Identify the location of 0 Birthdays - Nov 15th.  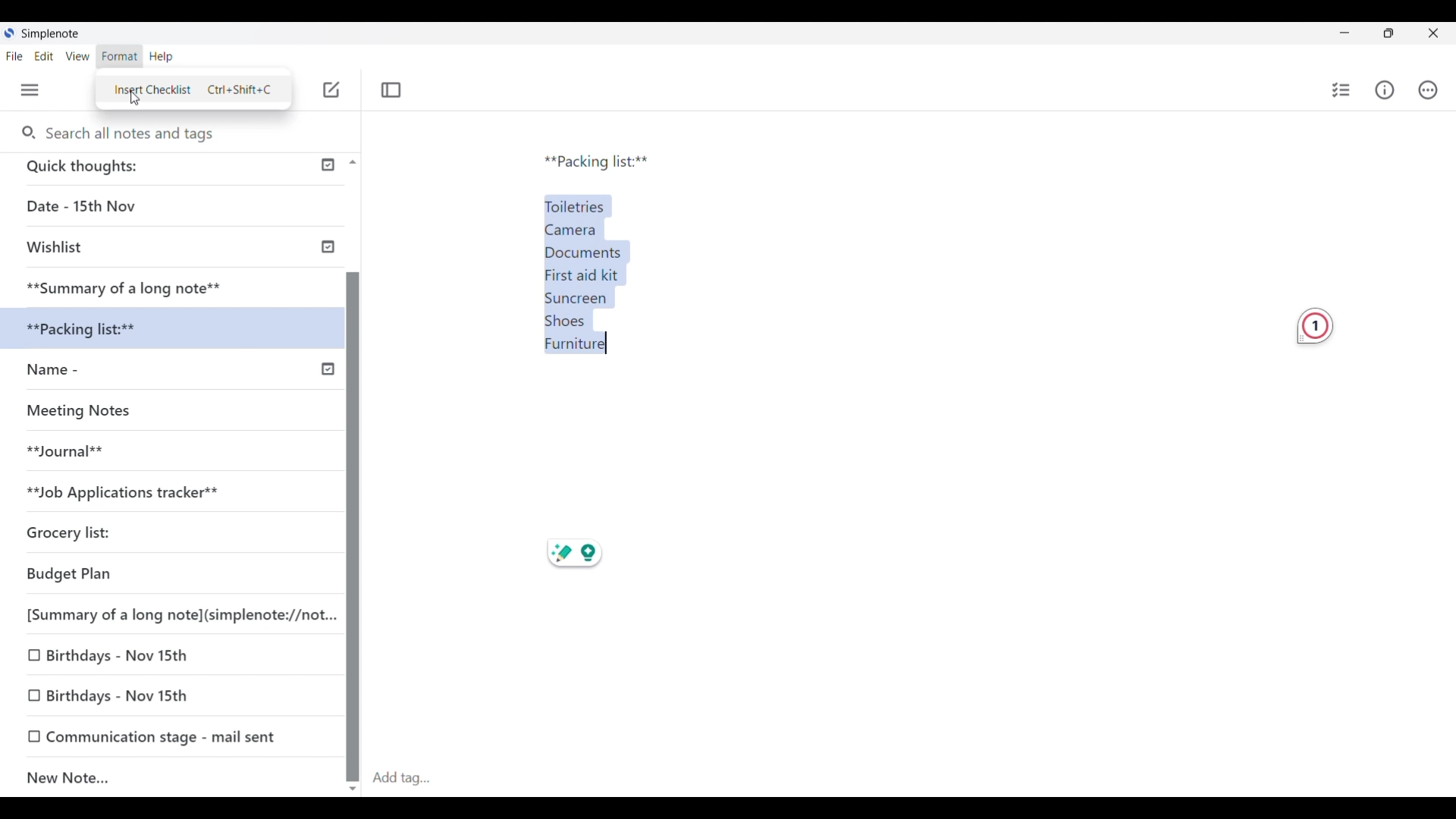
(123, 695).